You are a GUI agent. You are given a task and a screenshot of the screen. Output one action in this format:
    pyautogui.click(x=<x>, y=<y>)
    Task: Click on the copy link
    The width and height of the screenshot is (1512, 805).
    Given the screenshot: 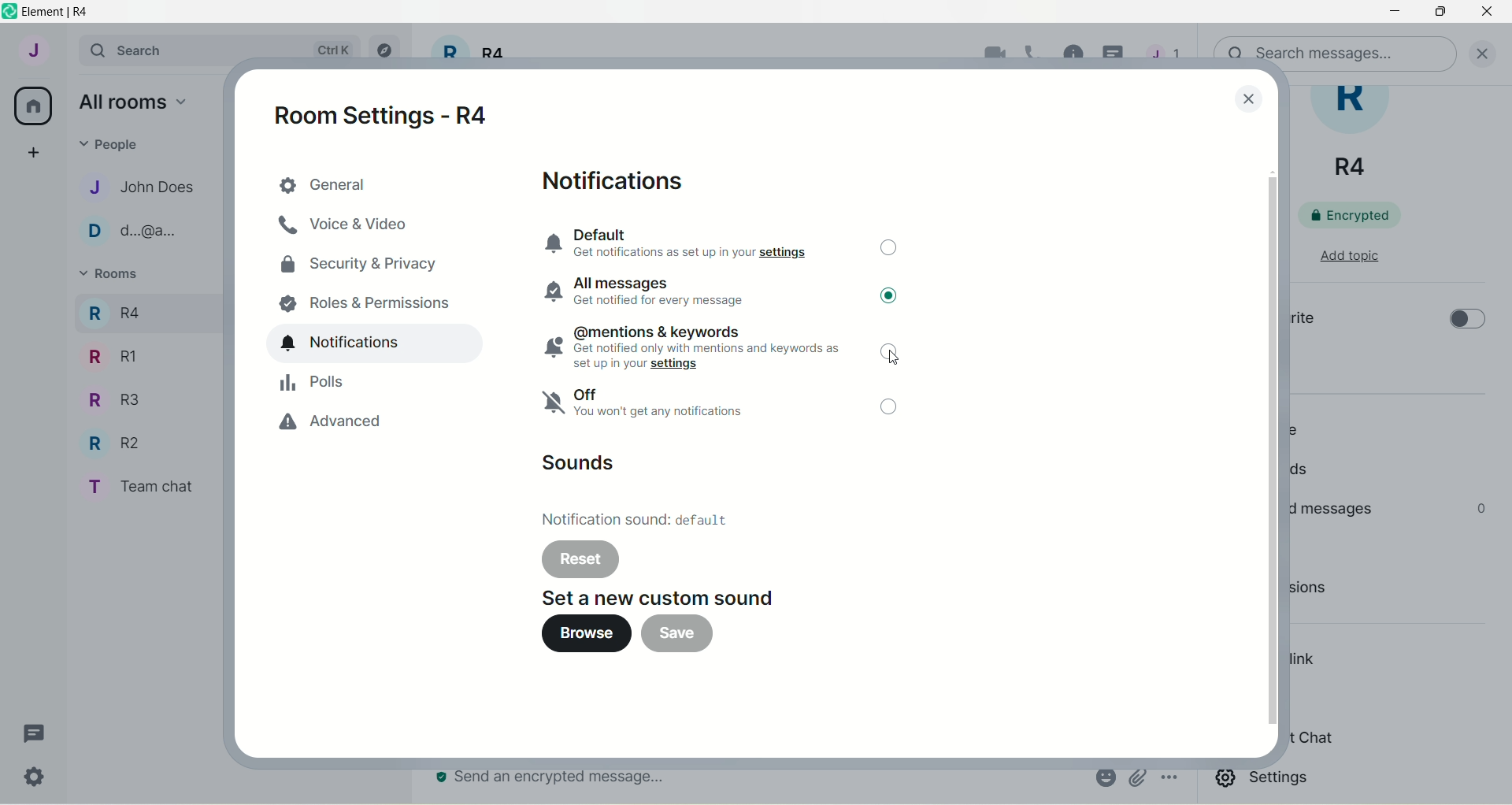 What is the action you would take?
    pyautogui.click(x=1305, y=662)
    